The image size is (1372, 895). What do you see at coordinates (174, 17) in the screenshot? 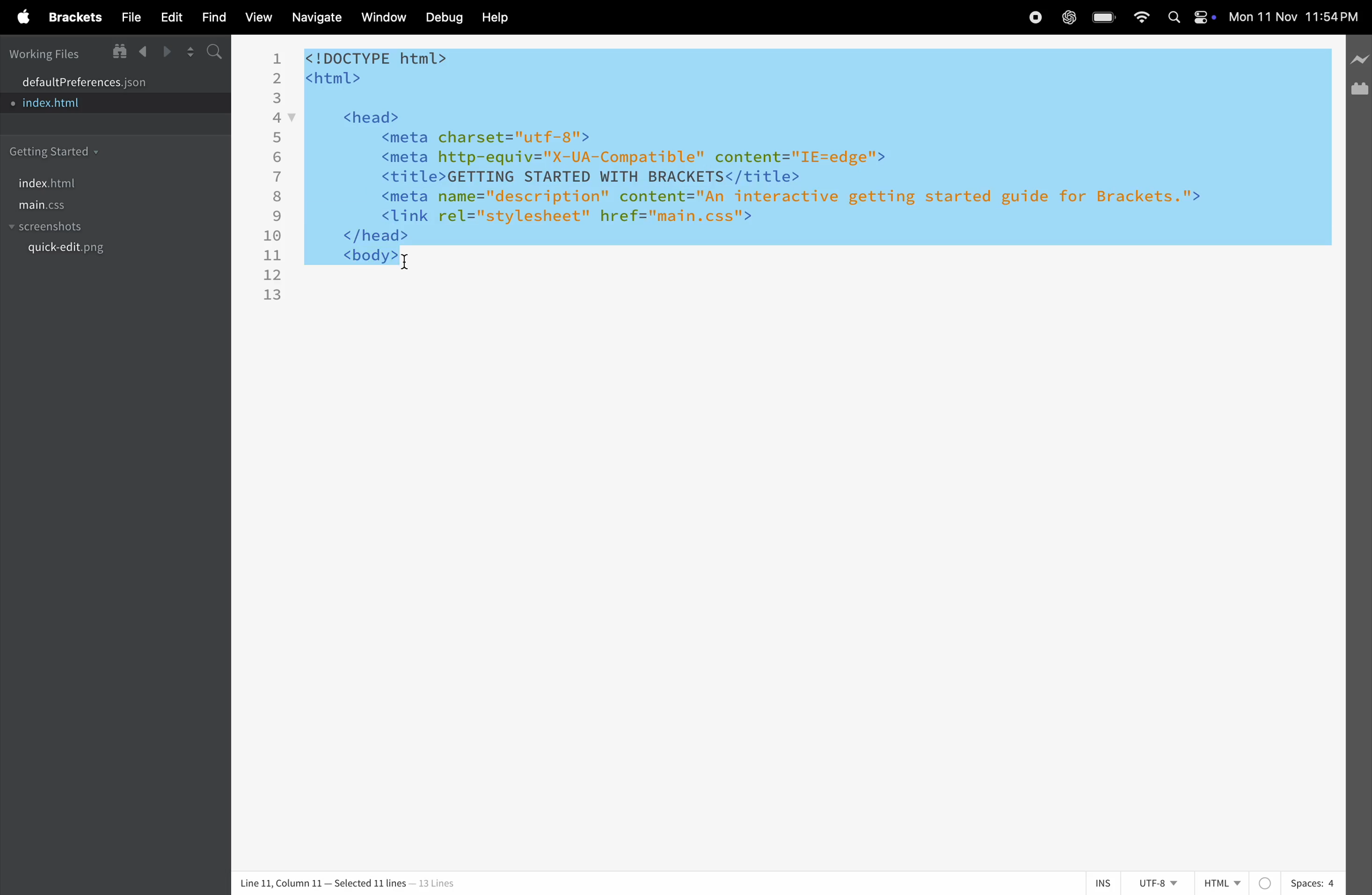
I see `edit` at bounding box center [174, 17].